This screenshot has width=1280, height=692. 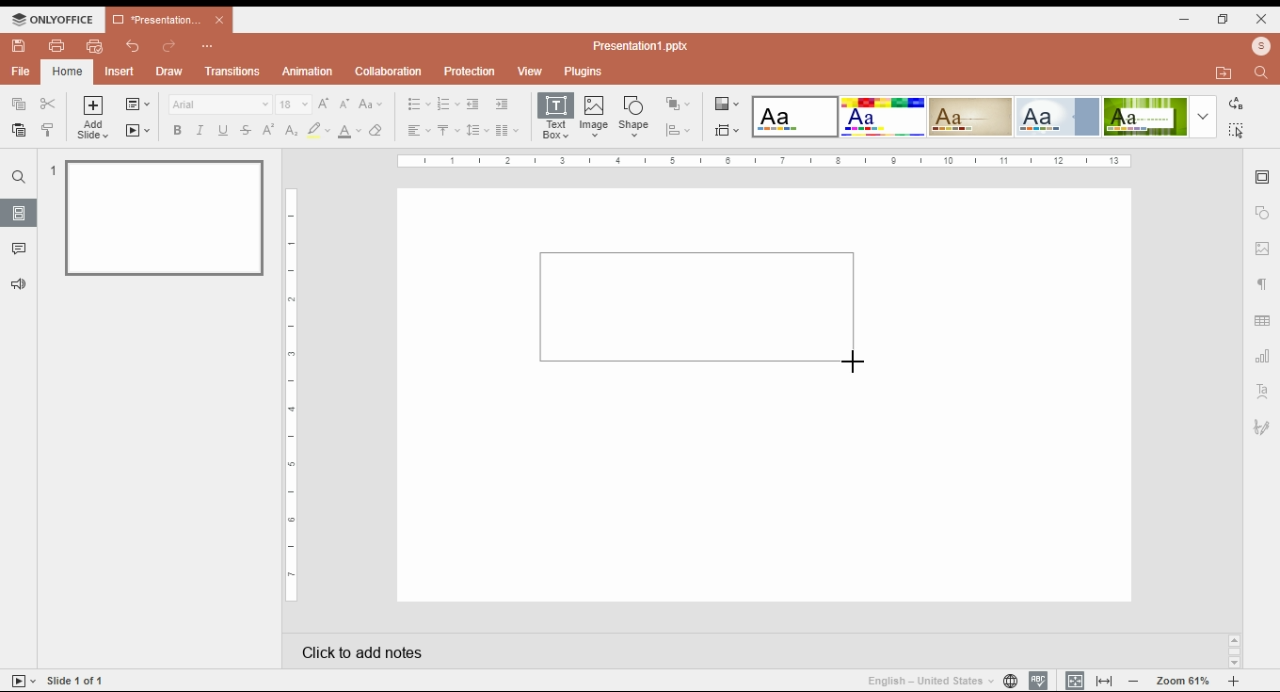 What do you see at coordinates (512, 649) in the screenshot?
I see `click to add notes` at bounding box center [512, 649].